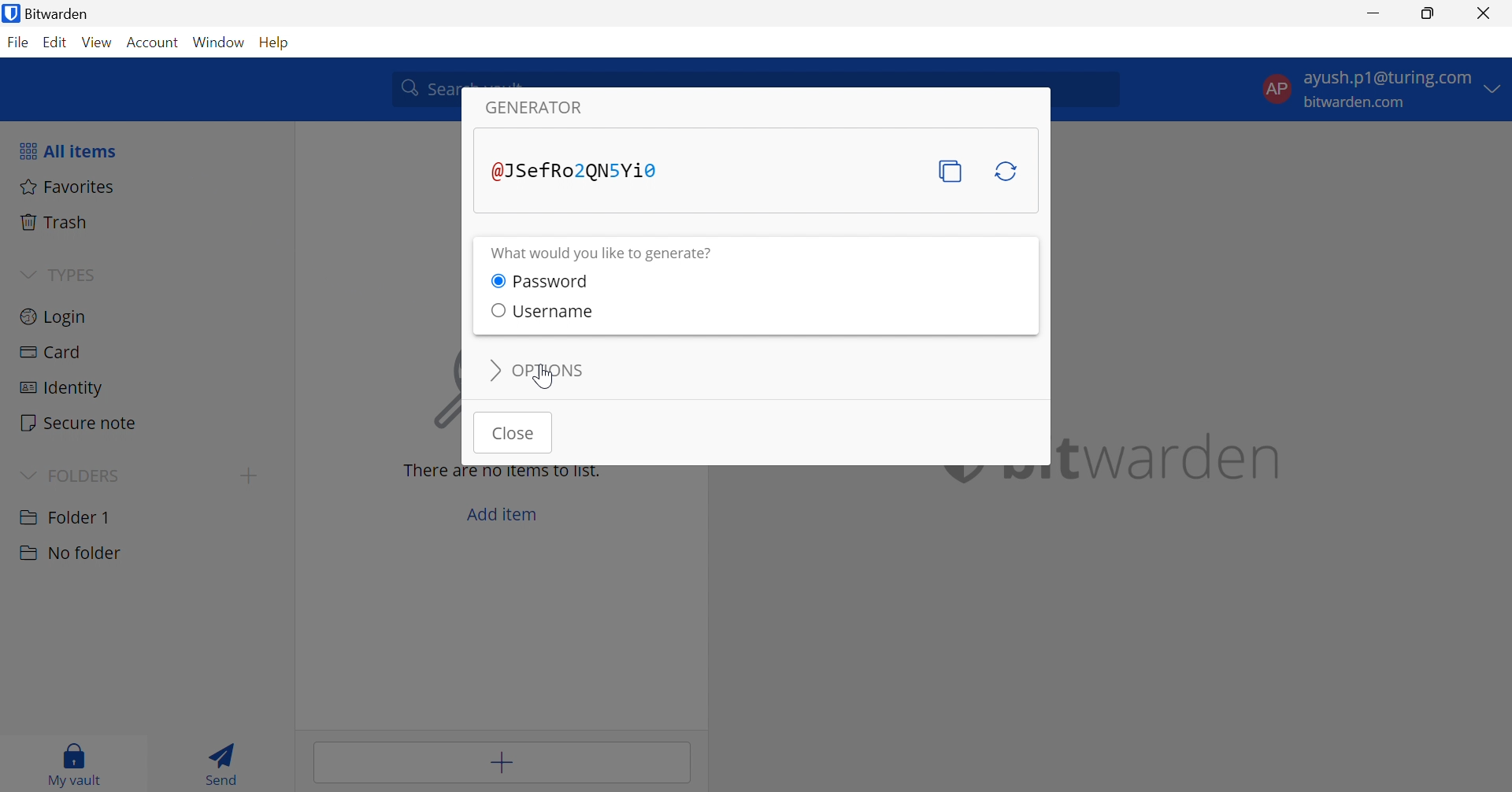 The image size is (1512, 792). What do you see at coordinates (57, 43) in the screenshot?
I see `Edit` at bounding box center [57, 43].